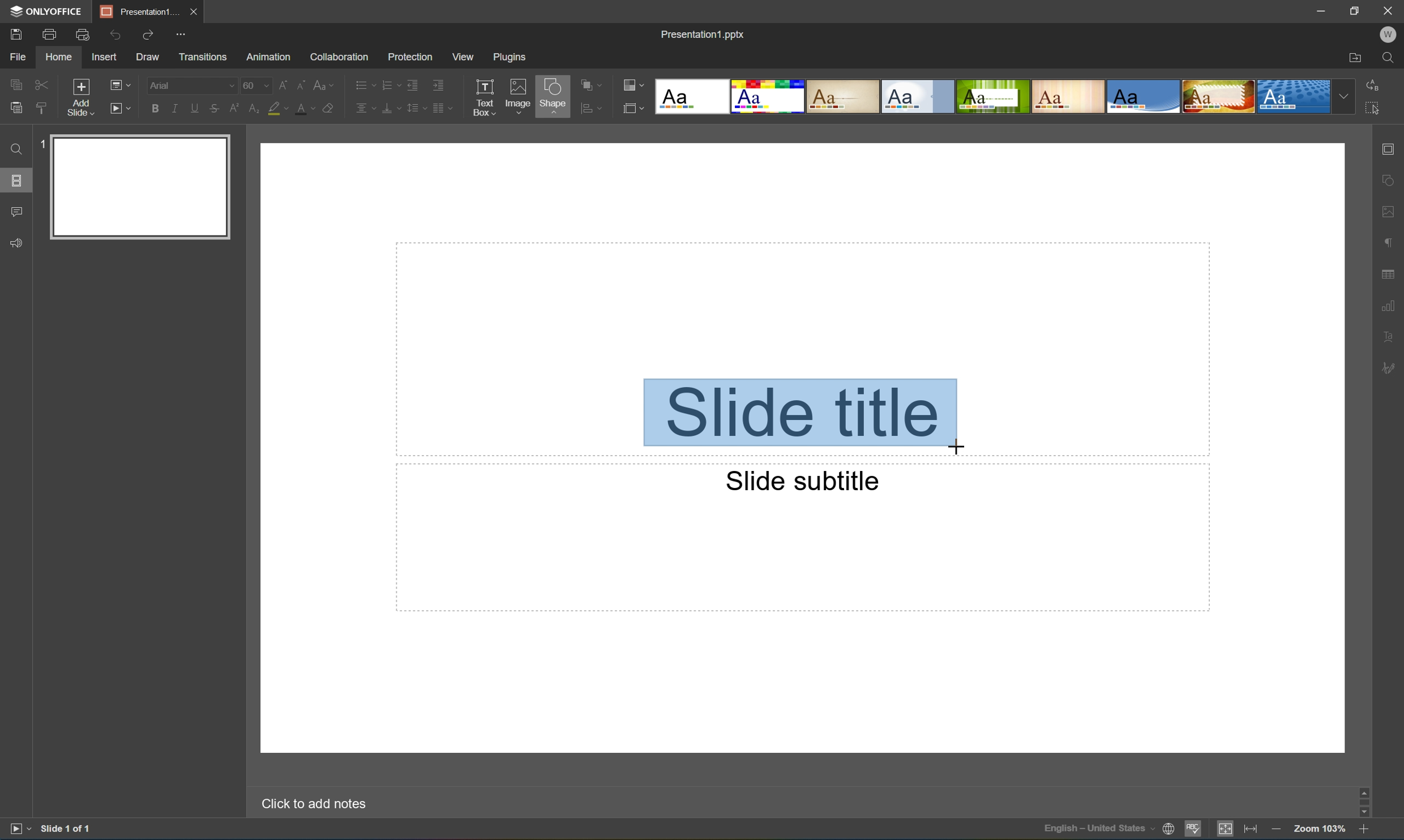 This screenshot has height=840, width=1404. Describe the element at coordinates (194, 11) in the screenshot. I see `Close` at that location.